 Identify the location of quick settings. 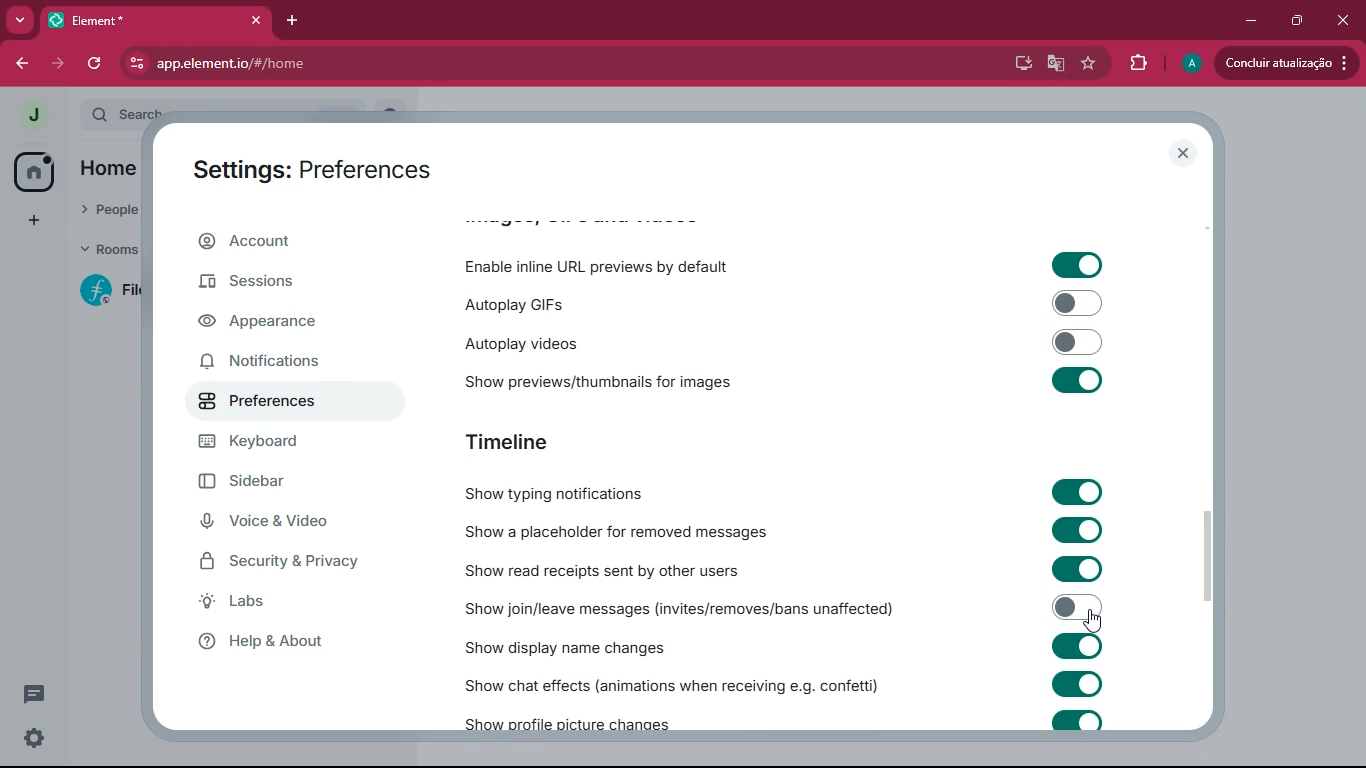
(34, 737).